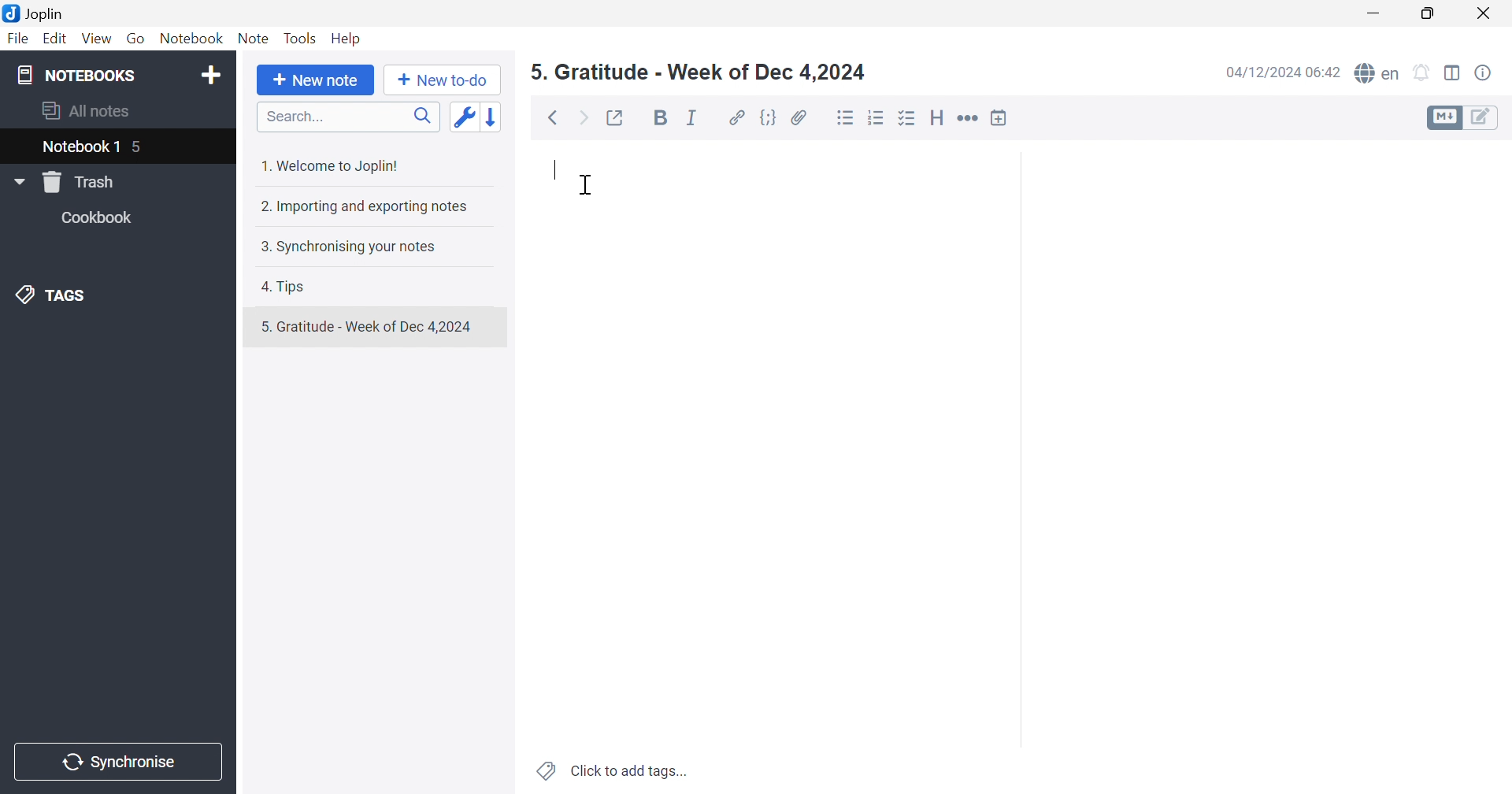 Image resolution: width=1512 pixels, height=794 pixels. What do you see at coordinates (139, 145) in the screenshot?
I see `5` at bounding box center [139, 145].